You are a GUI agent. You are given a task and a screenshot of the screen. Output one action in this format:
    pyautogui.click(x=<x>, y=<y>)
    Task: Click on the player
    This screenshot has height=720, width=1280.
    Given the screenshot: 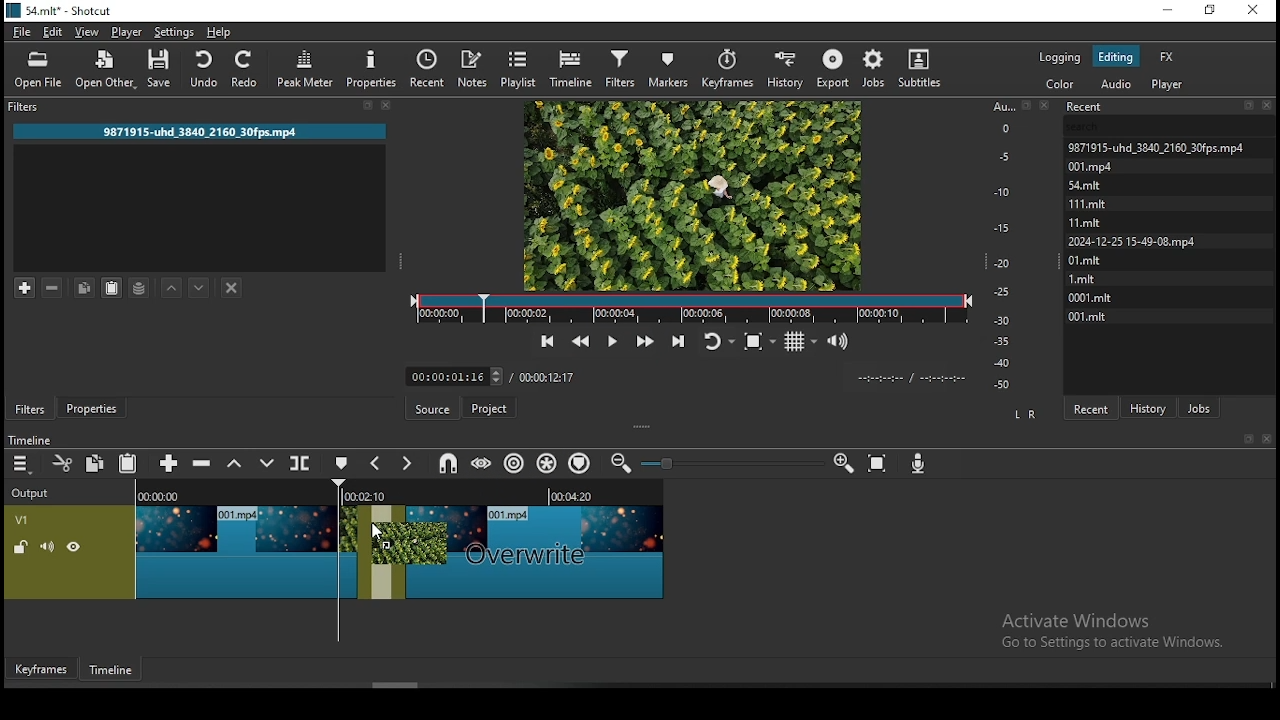 What is the action you would take?
    pyautogui.click(x=1169, y=86)
    